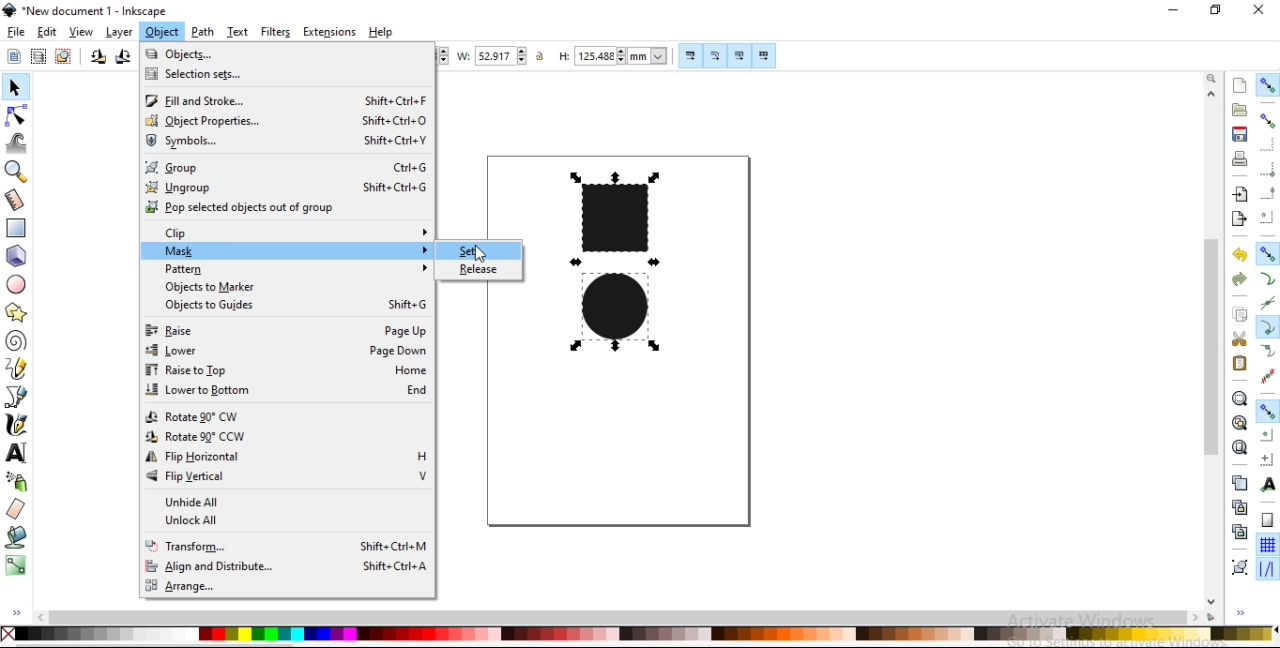 The height and width of the screenshot is (648, 1280). I want to click on select all objects and nodes, so click(13, 57).